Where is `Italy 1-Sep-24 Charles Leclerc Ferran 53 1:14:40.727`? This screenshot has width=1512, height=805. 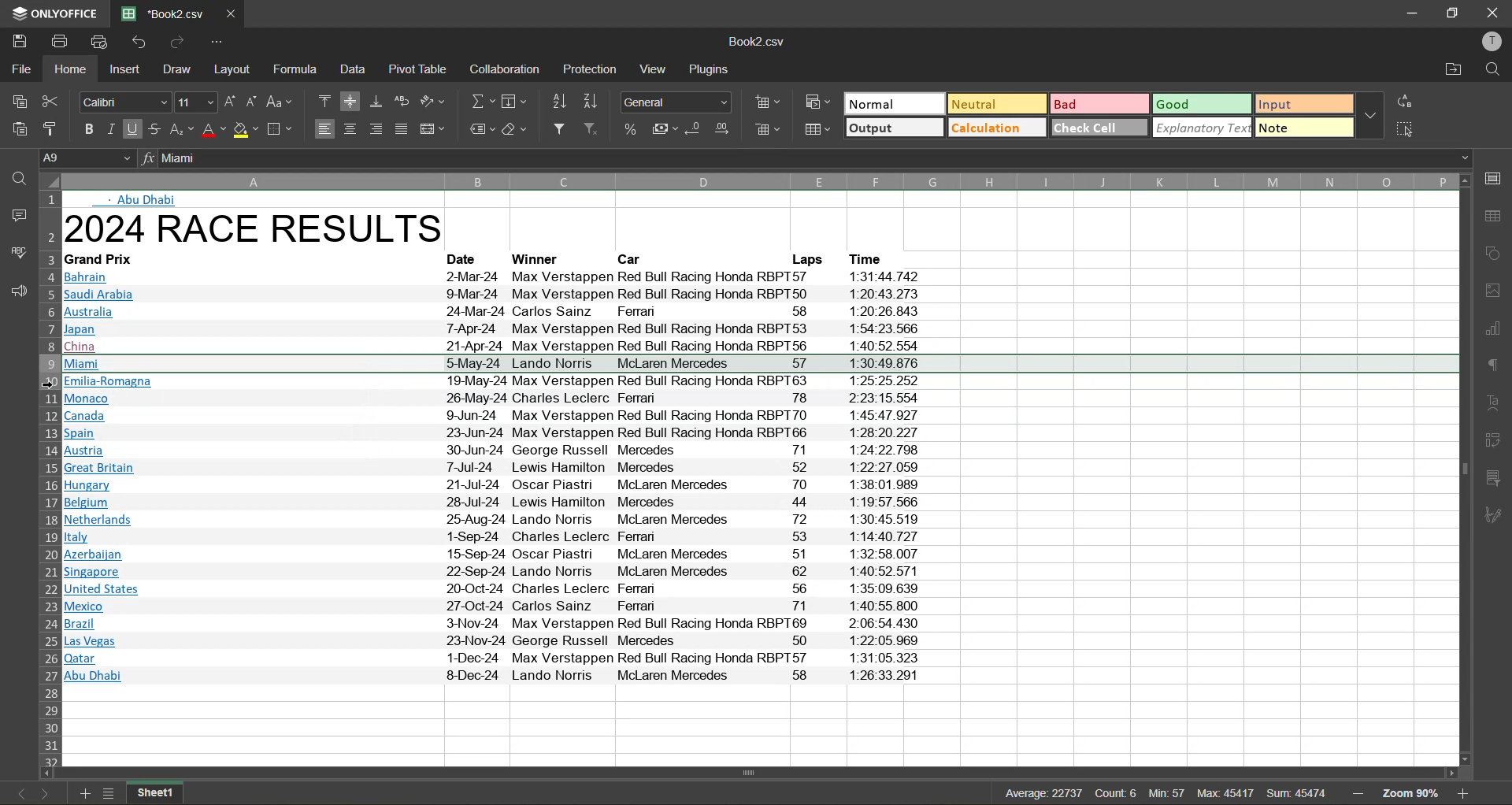
Italy 1-Sep-24 Charles Leclerc Ferran 53 1:14:40.727 is located at coordinates (492, 537).